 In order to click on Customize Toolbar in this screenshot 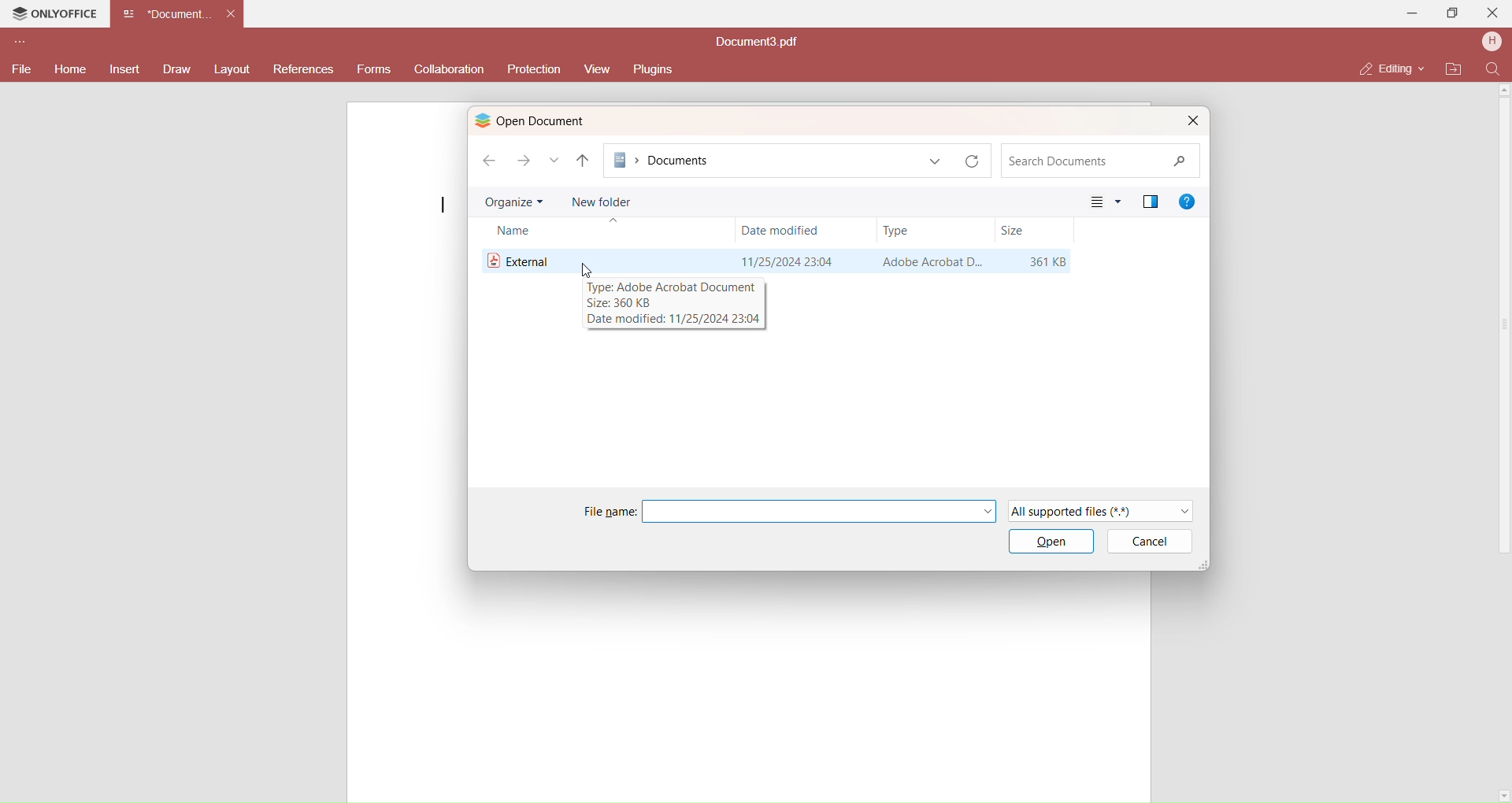, I will do `click(18, 44)`.